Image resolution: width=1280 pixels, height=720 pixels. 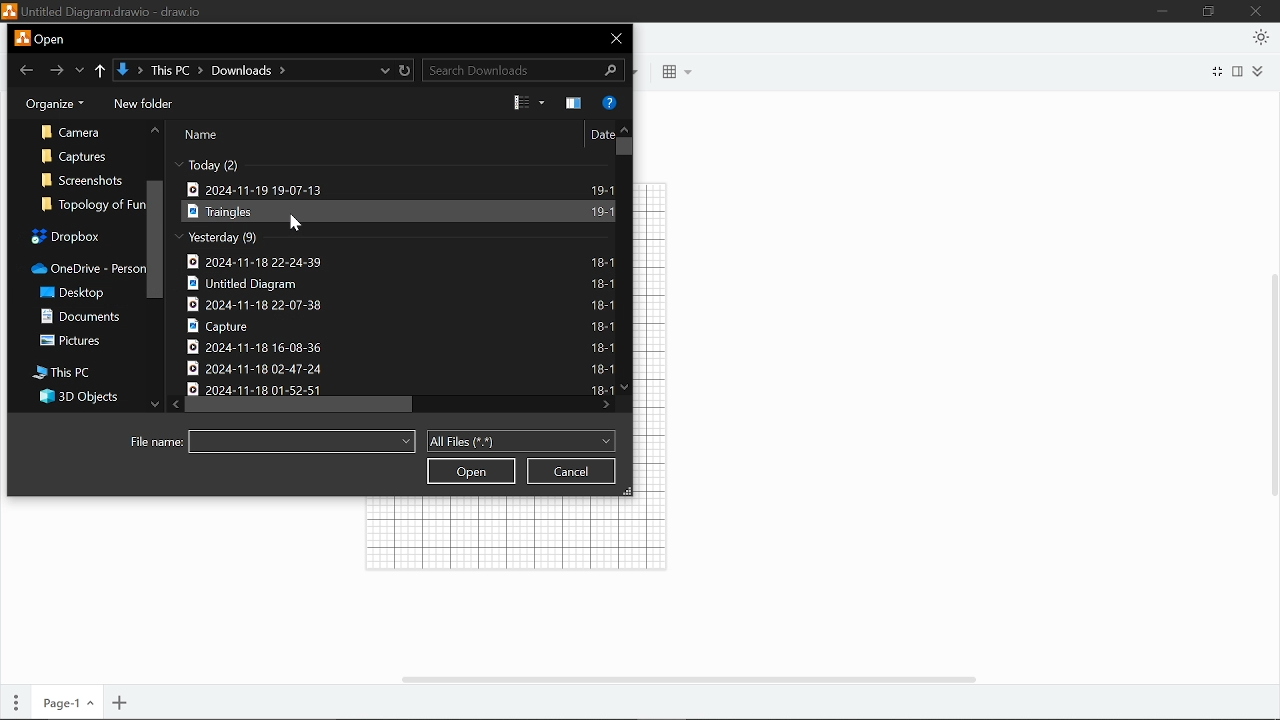 I want to click on 2024-11-18 22-24-39.     18-1, so click(x=399, y=263).